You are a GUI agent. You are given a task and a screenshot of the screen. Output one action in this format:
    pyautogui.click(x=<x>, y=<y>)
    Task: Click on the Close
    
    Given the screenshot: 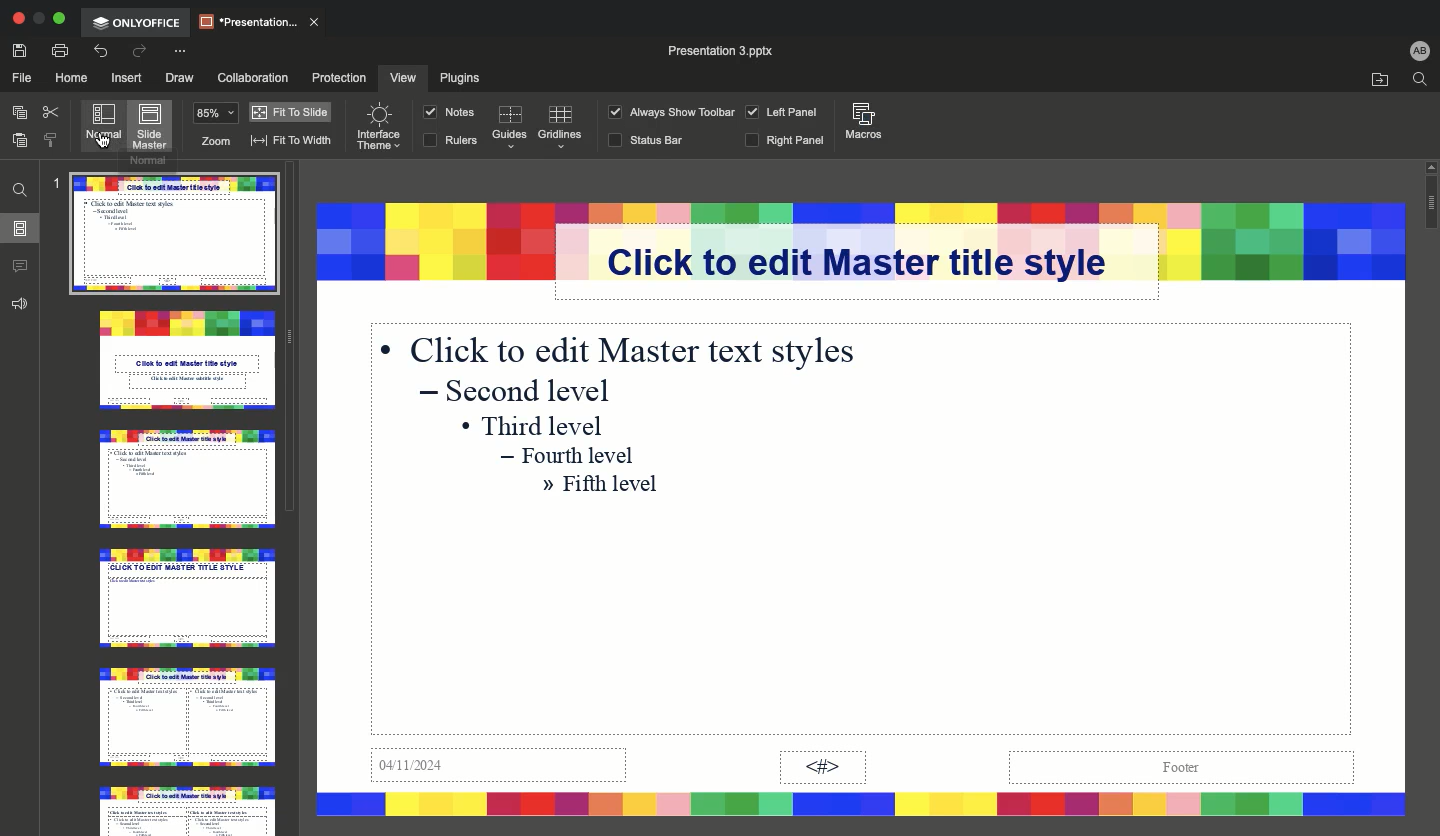 What is the action you would take?
    pyautogui.click(x=18, y=20)
    